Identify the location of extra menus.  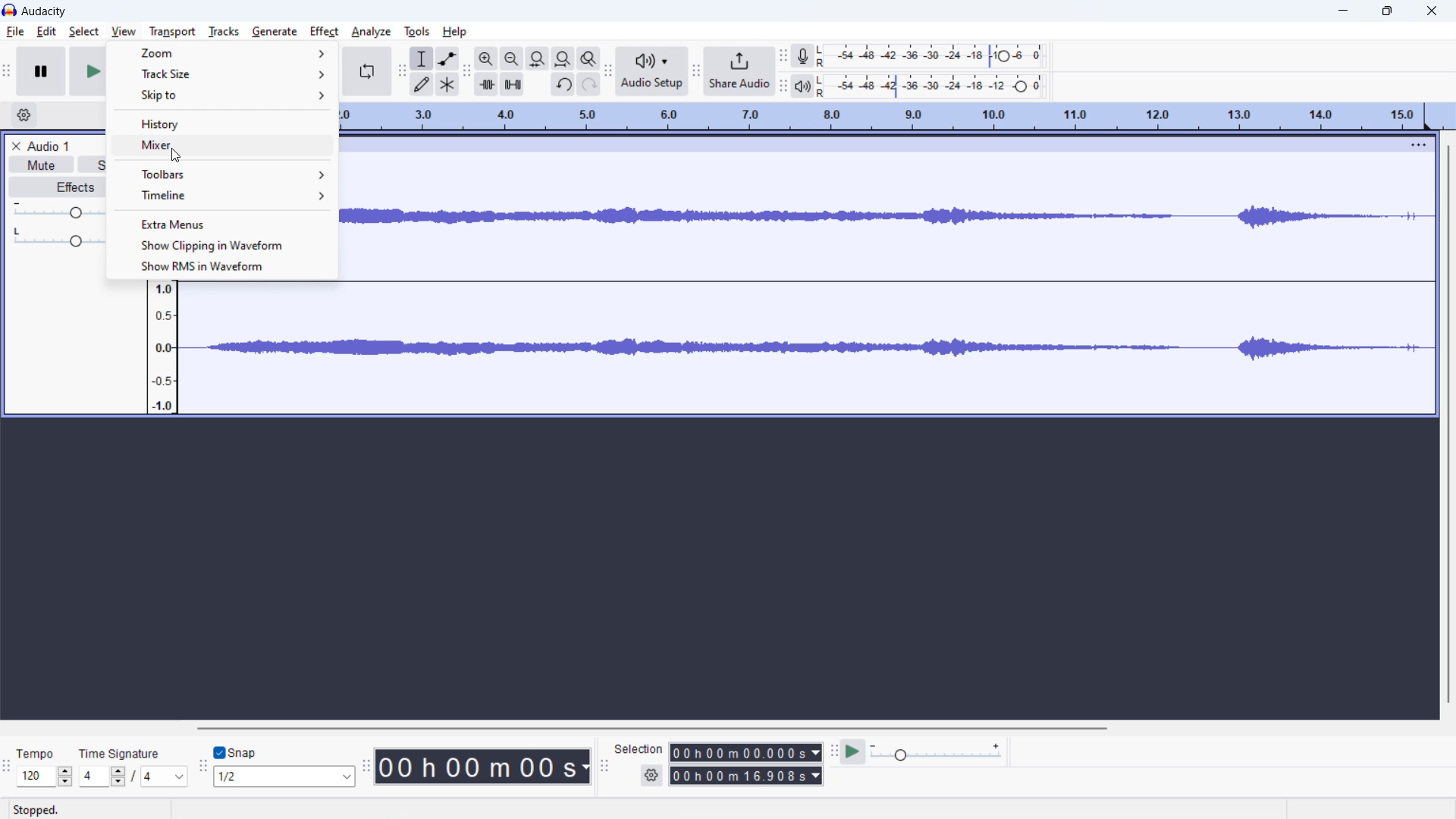
(221, 224).